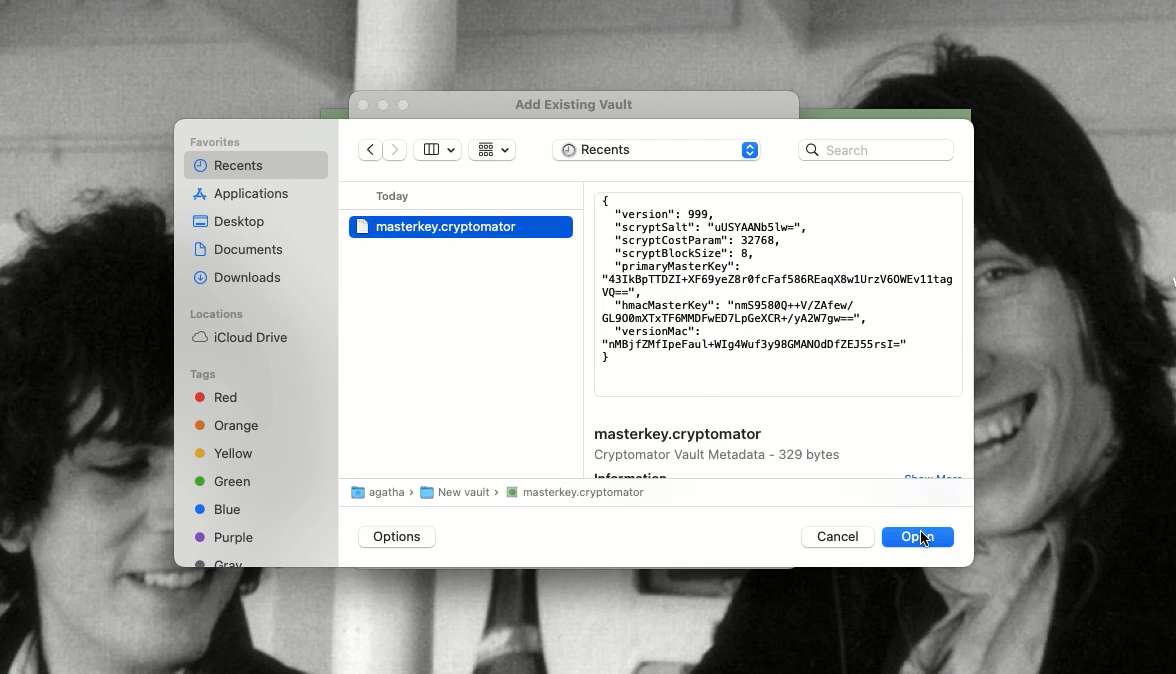 This screenshot has width=1176, height=674. Describe the element at coordinates (398, 537) in the screenshot. I see `Options` at that location.